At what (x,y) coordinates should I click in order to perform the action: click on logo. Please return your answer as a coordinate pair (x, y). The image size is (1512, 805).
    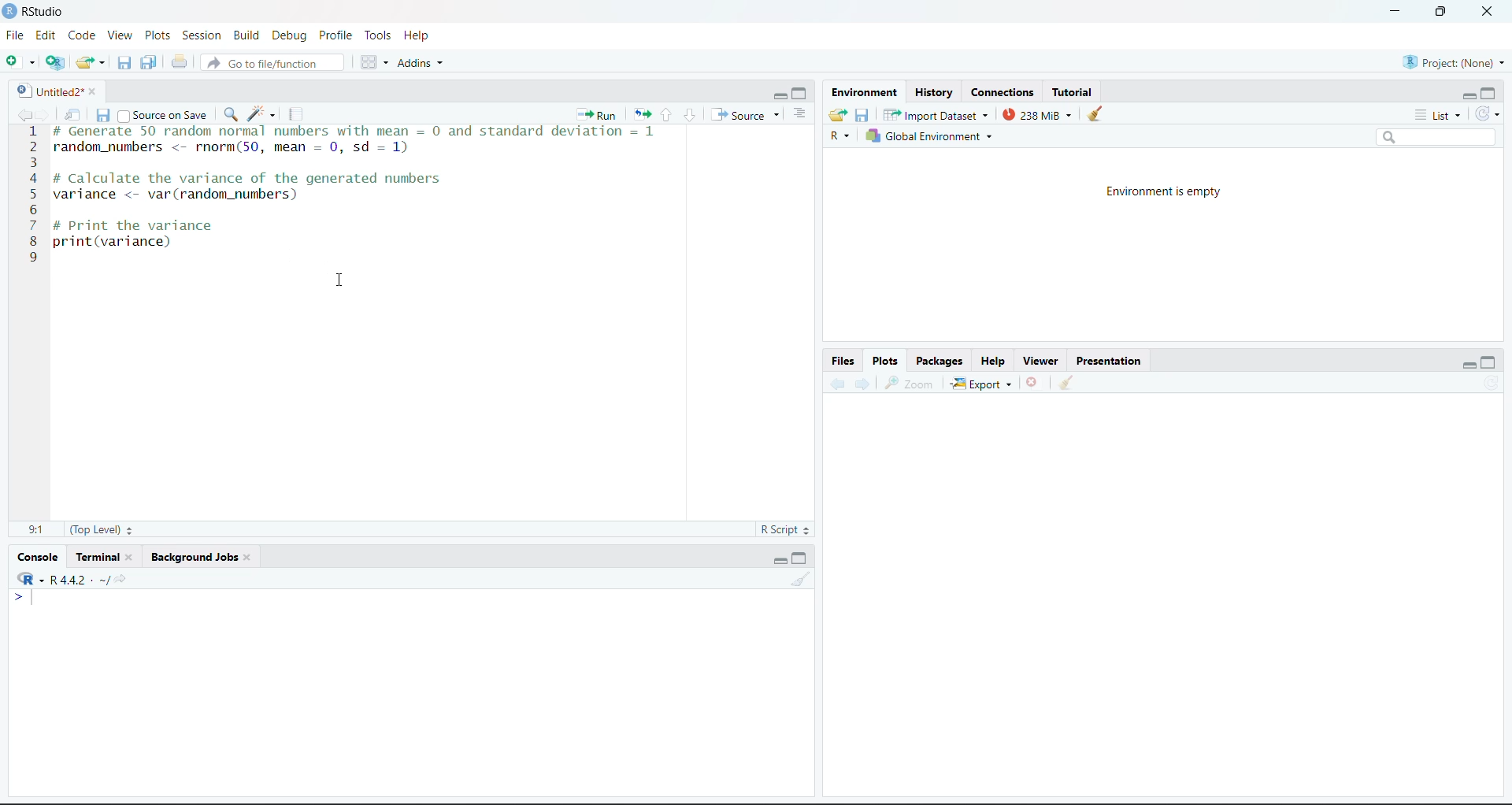
    Looking at the image, I should click on (11, 12).